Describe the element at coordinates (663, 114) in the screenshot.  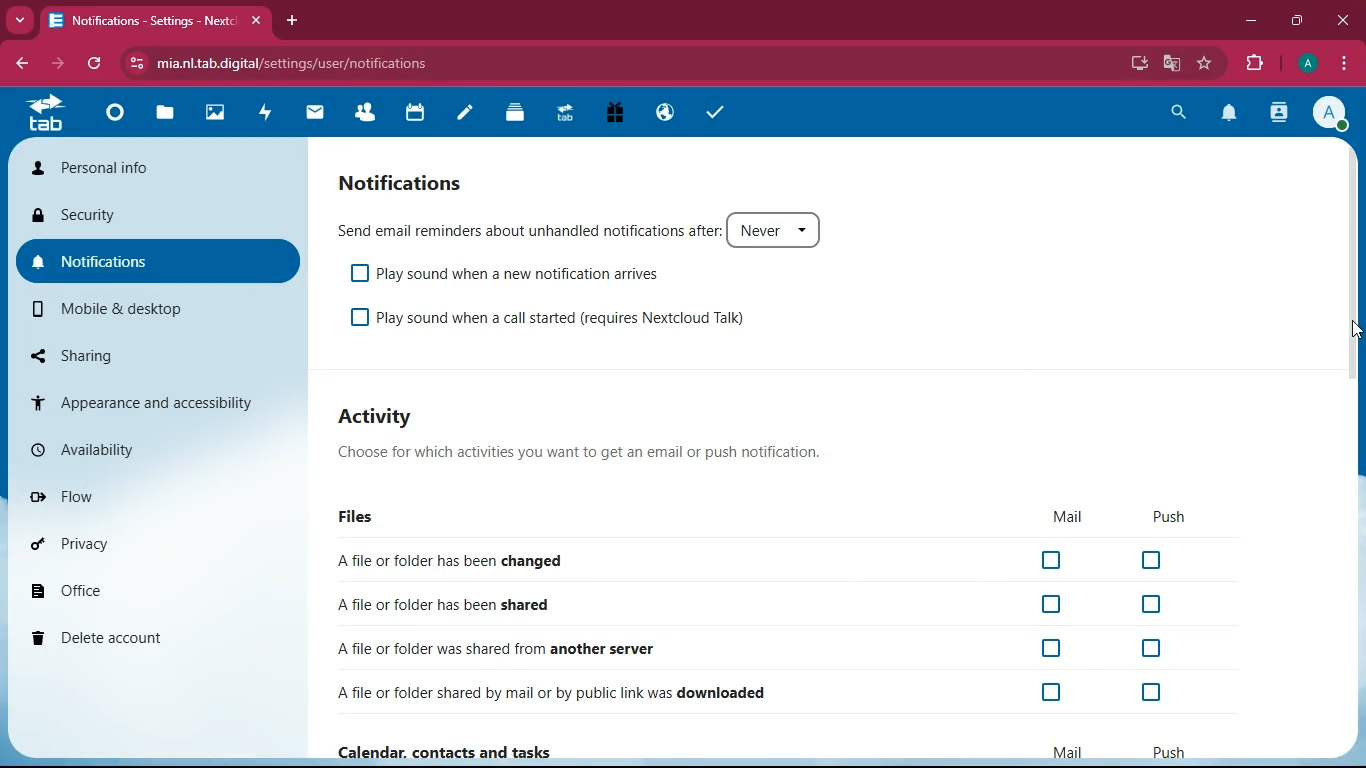
I see `public` at that location.